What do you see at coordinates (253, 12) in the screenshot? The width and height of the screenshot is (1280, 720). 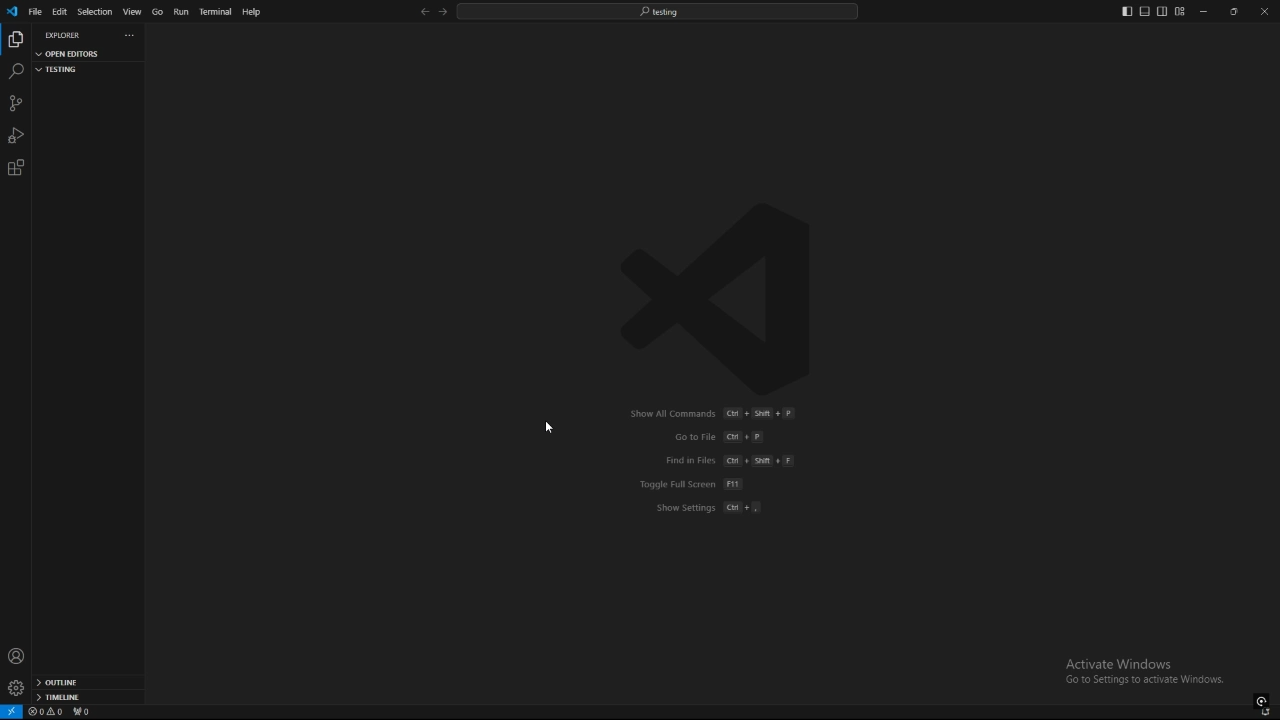 I see `help` at bounding box center [253, 12].